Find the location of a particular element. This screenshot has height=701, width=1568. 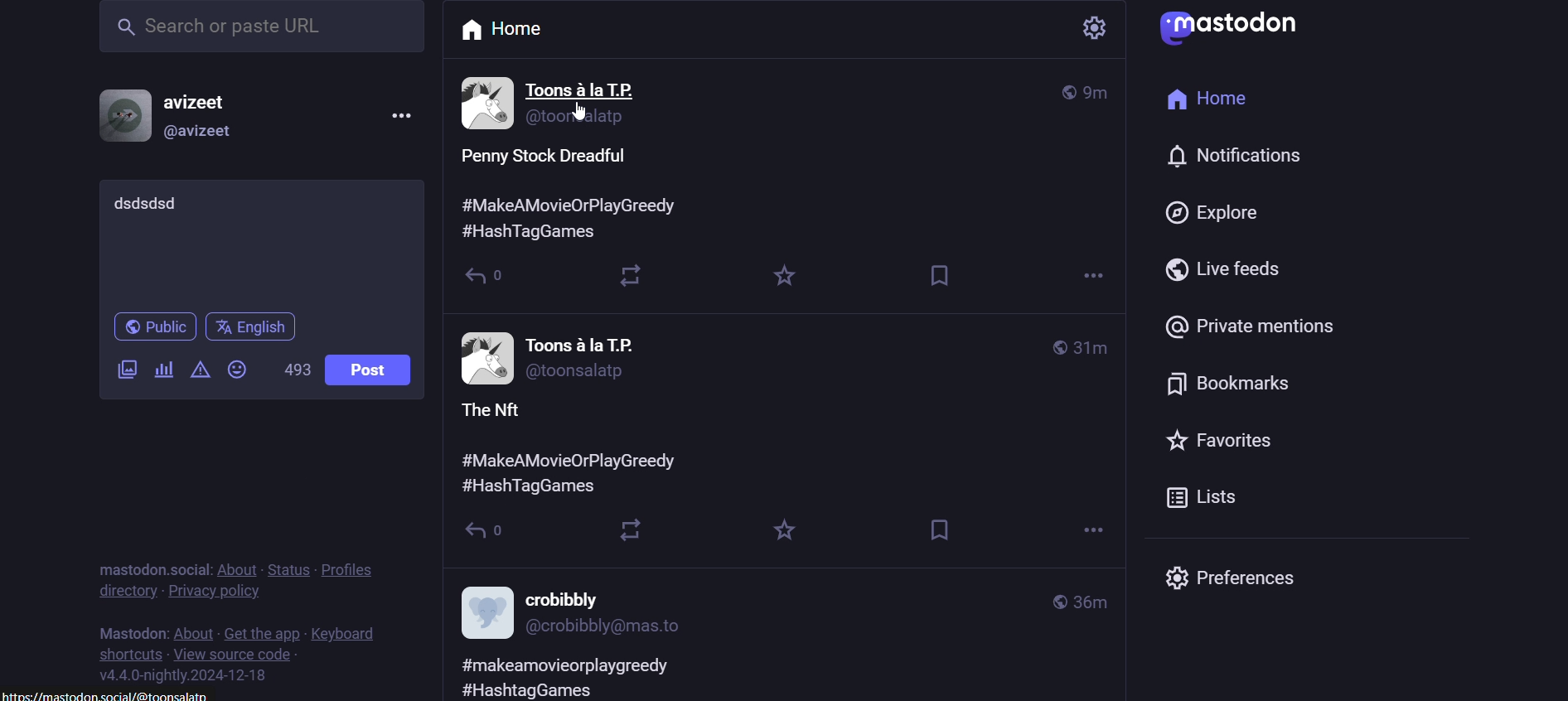

 is located at coordinates (605, 627).